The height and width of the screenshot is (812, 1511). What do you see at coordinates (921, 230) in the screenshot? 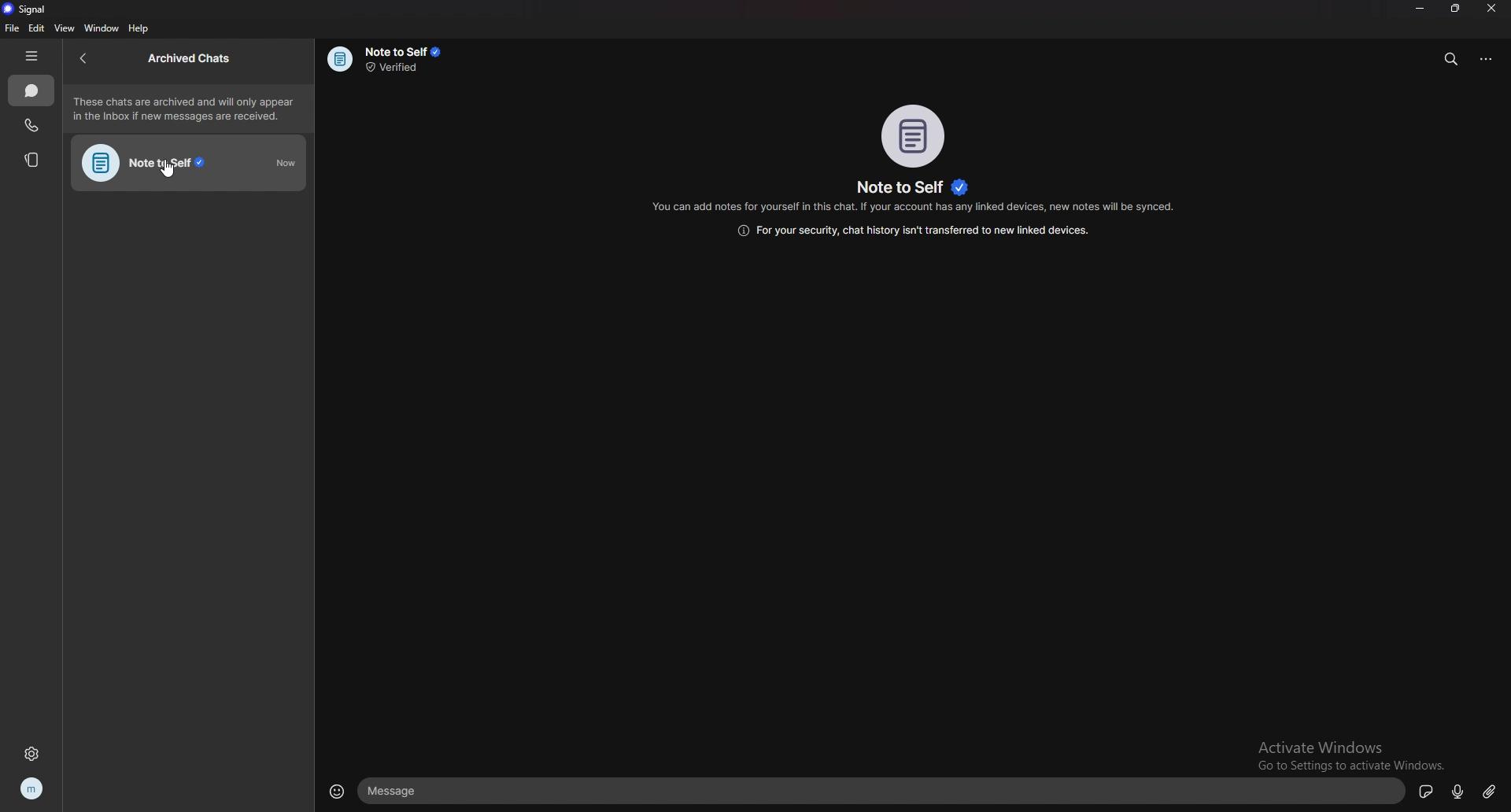
I see `info` at bounding box center [921, 230].